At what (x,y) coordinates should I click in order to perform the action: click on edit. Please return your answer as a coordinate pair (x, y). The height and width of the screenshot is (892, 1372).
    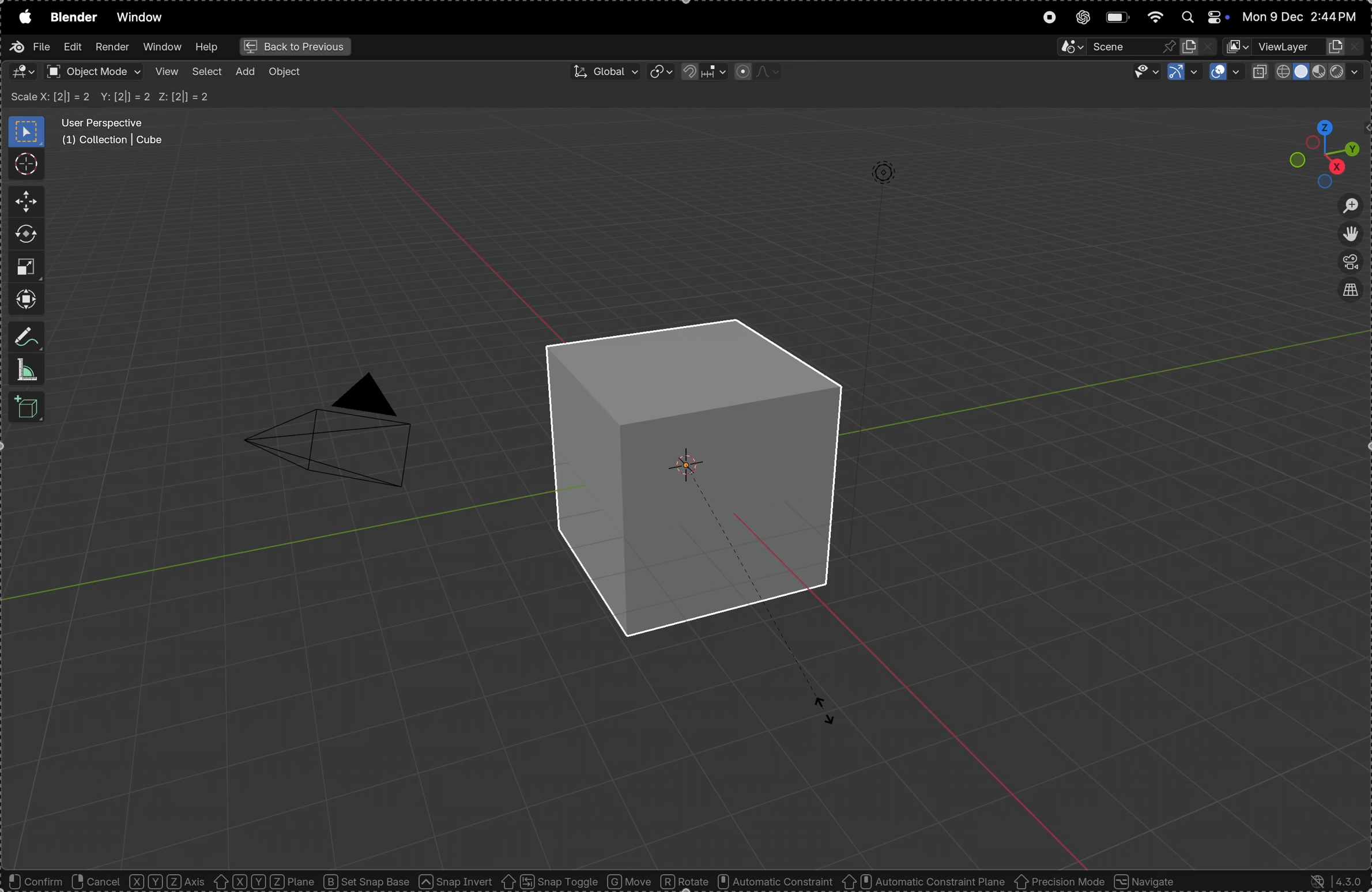
    Looking at the image, I should click on (70, 47).